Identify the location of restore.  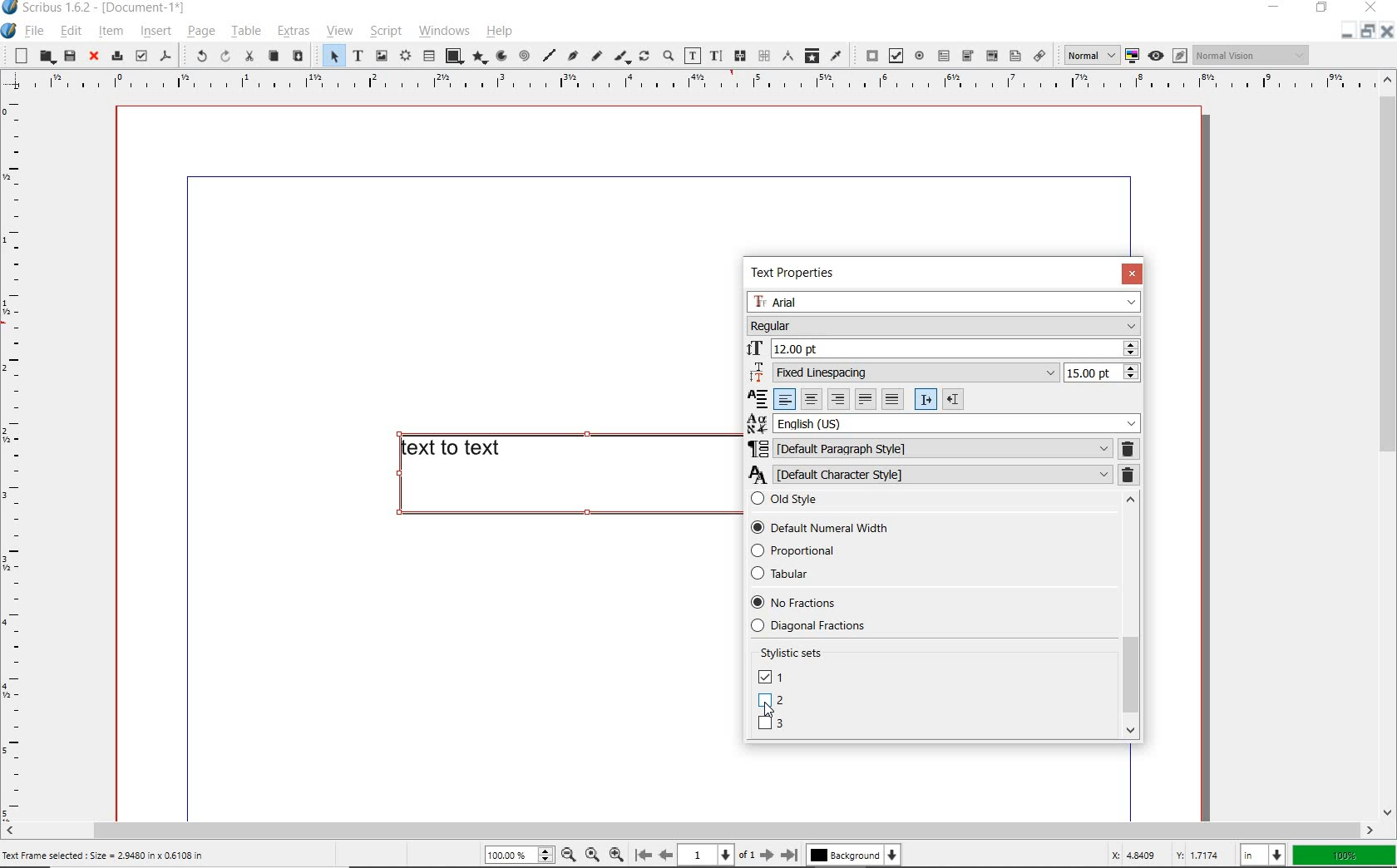
(1324, 9).